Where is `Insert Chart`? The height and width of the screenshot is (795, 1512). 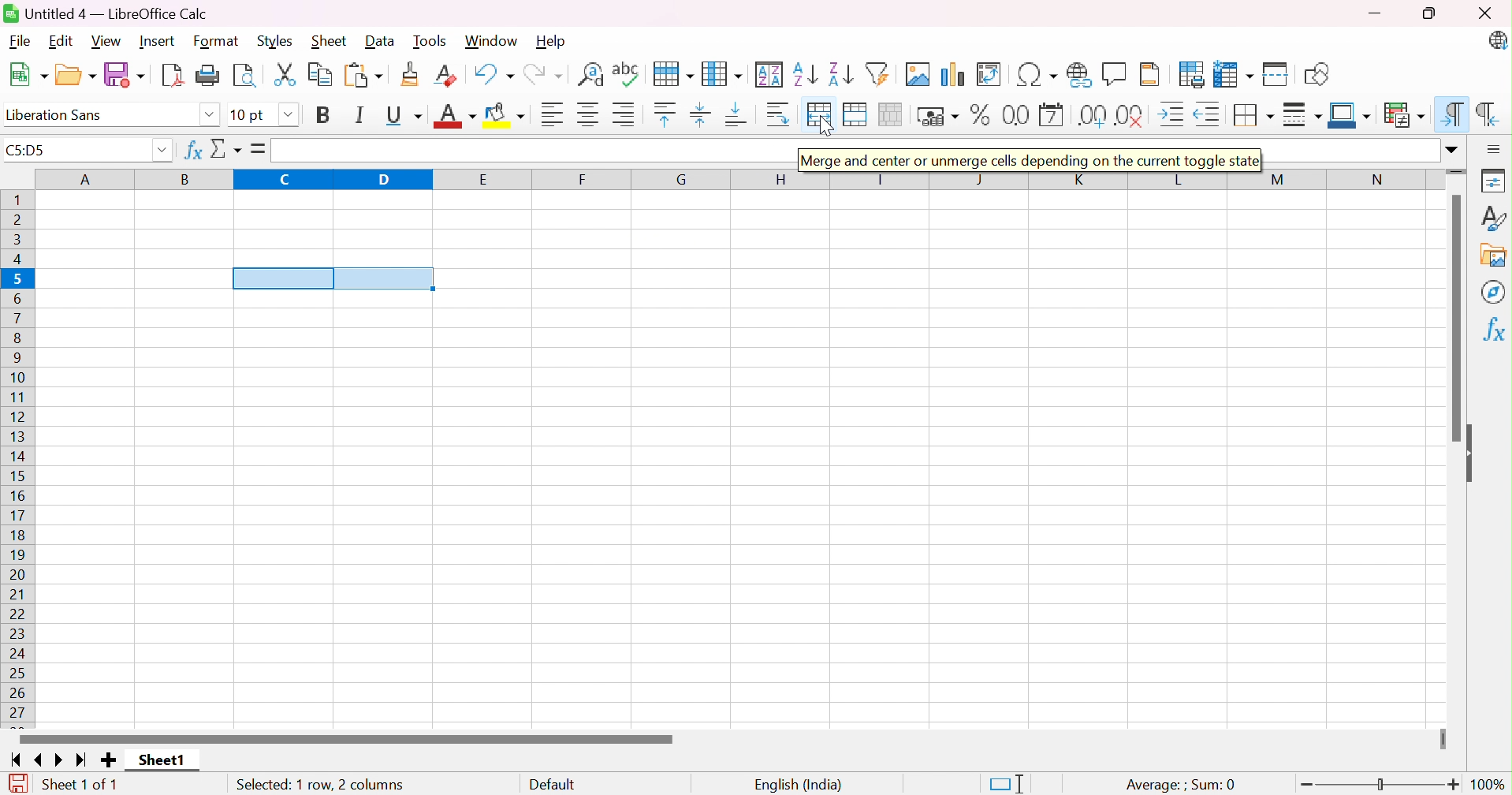 Insert Chart is located at coordinates (952, 73).